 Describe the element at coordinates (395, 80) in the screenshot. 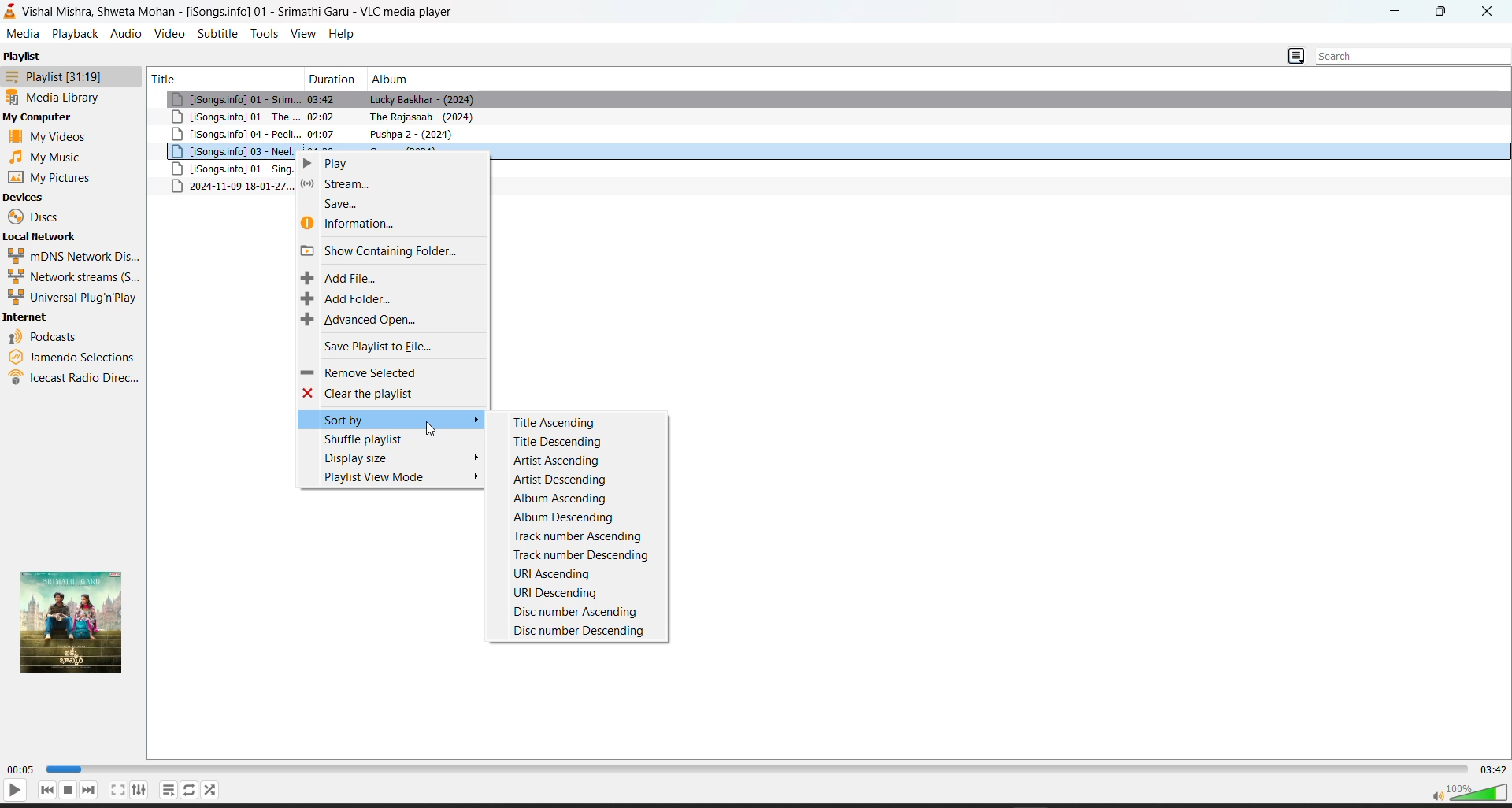

I see `album` at that location.